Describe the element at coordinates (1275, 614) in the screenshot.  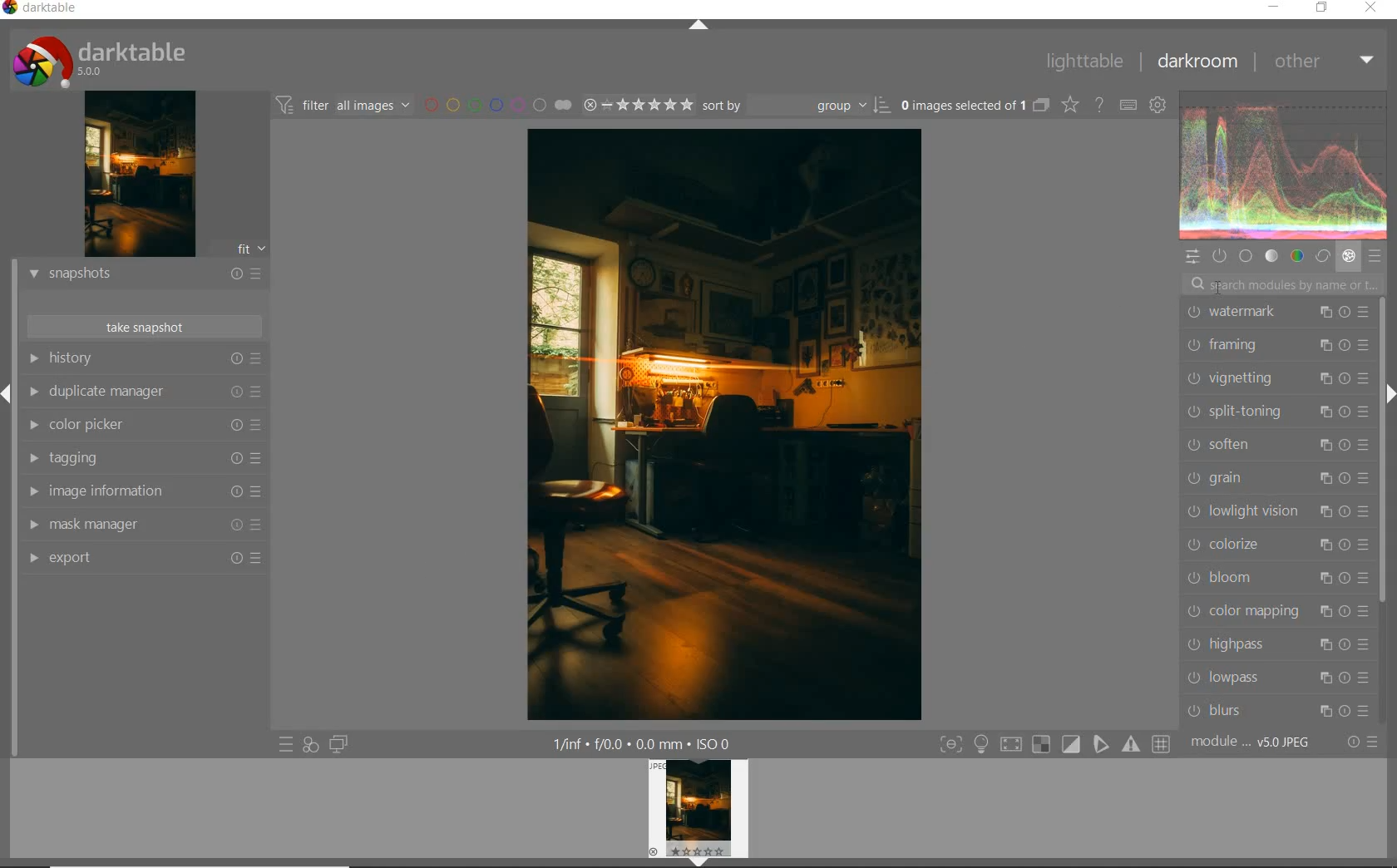
I see `color mapping` at that location.